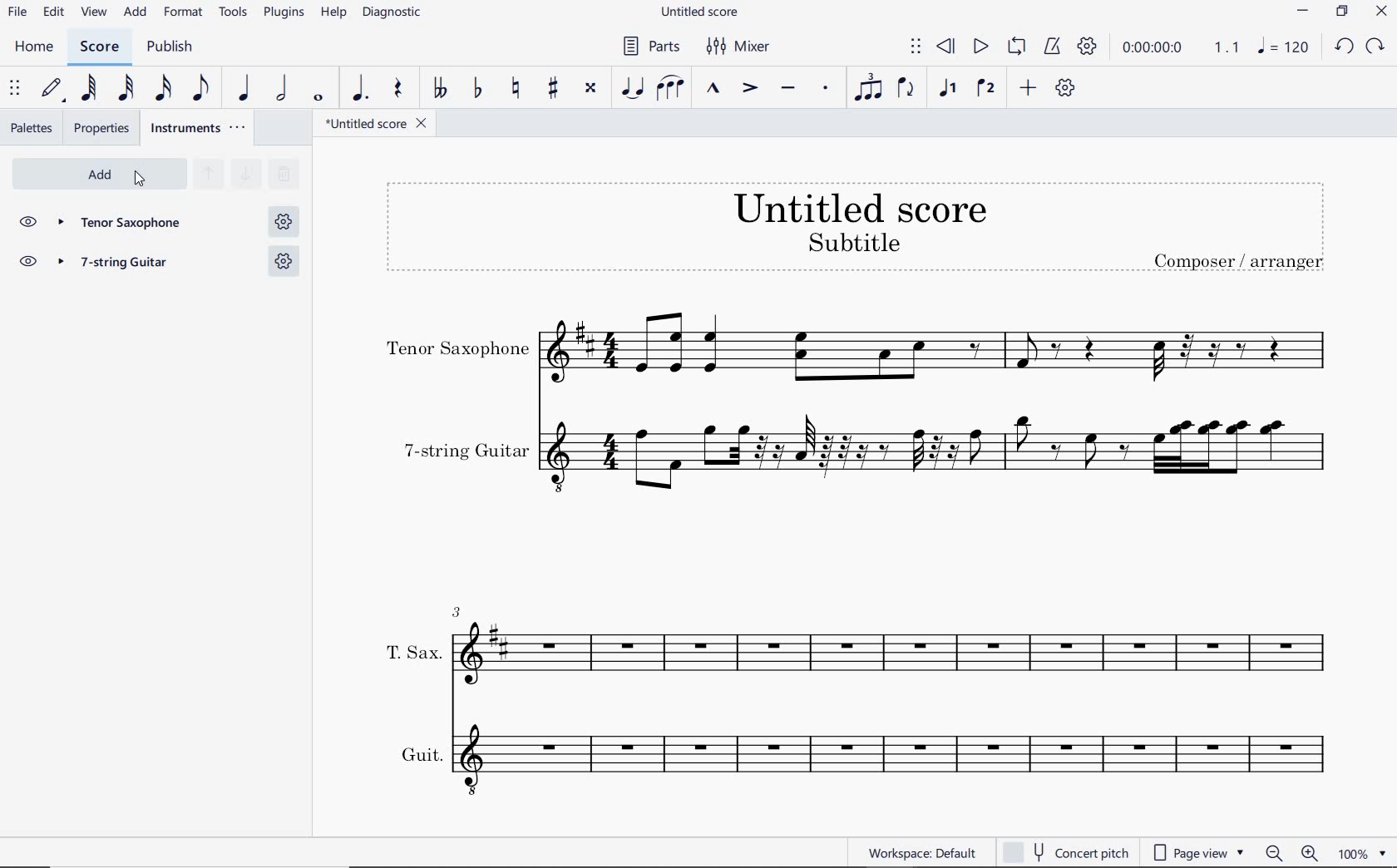 This screenshot has height=868, width=1397. Describe the element at coordinates (1293, 853) in the screenshot. I see `ZOOM OUT OR ZOOM IN` at that location.